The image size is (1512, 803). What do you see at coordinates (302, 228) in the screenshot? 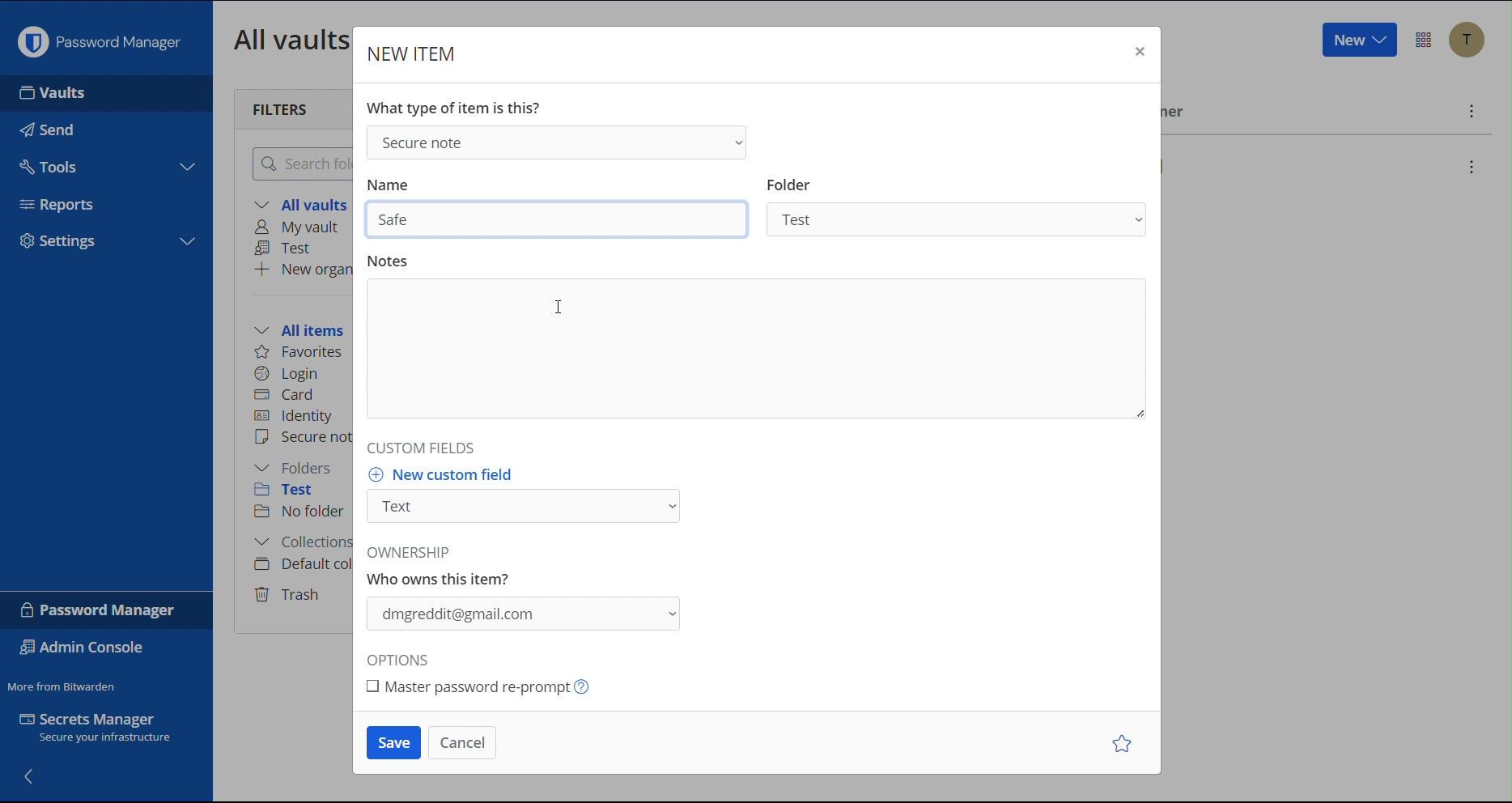
I see `My vault` at bounding box center [302, 228].